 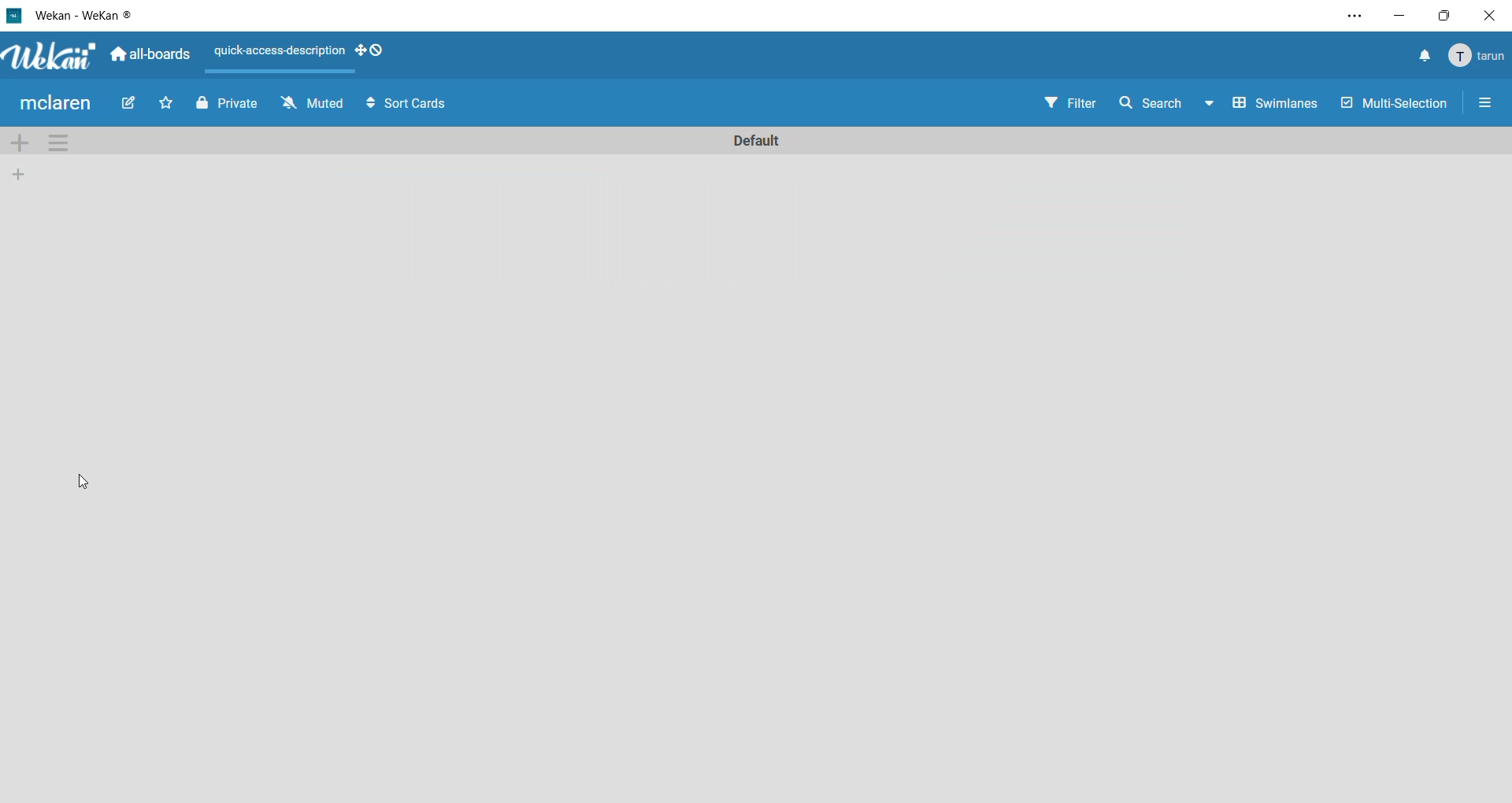 I want to click on sort cards, so click(x=403, y=105).